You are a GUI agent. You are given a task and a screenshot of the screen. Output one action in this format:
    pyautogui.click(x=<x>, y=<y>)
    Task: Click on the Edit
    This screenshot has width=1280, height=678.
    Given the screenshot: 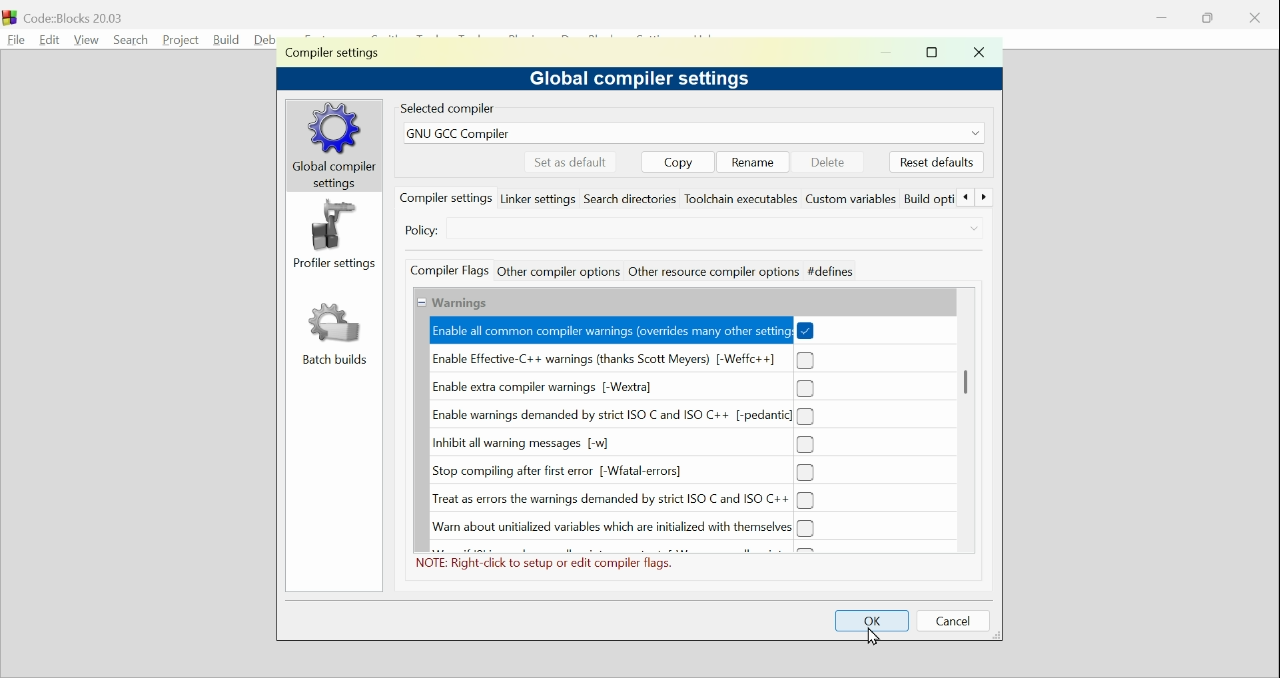 What is the action you would take?
    pyautogui.click(x=46, y=38)
    